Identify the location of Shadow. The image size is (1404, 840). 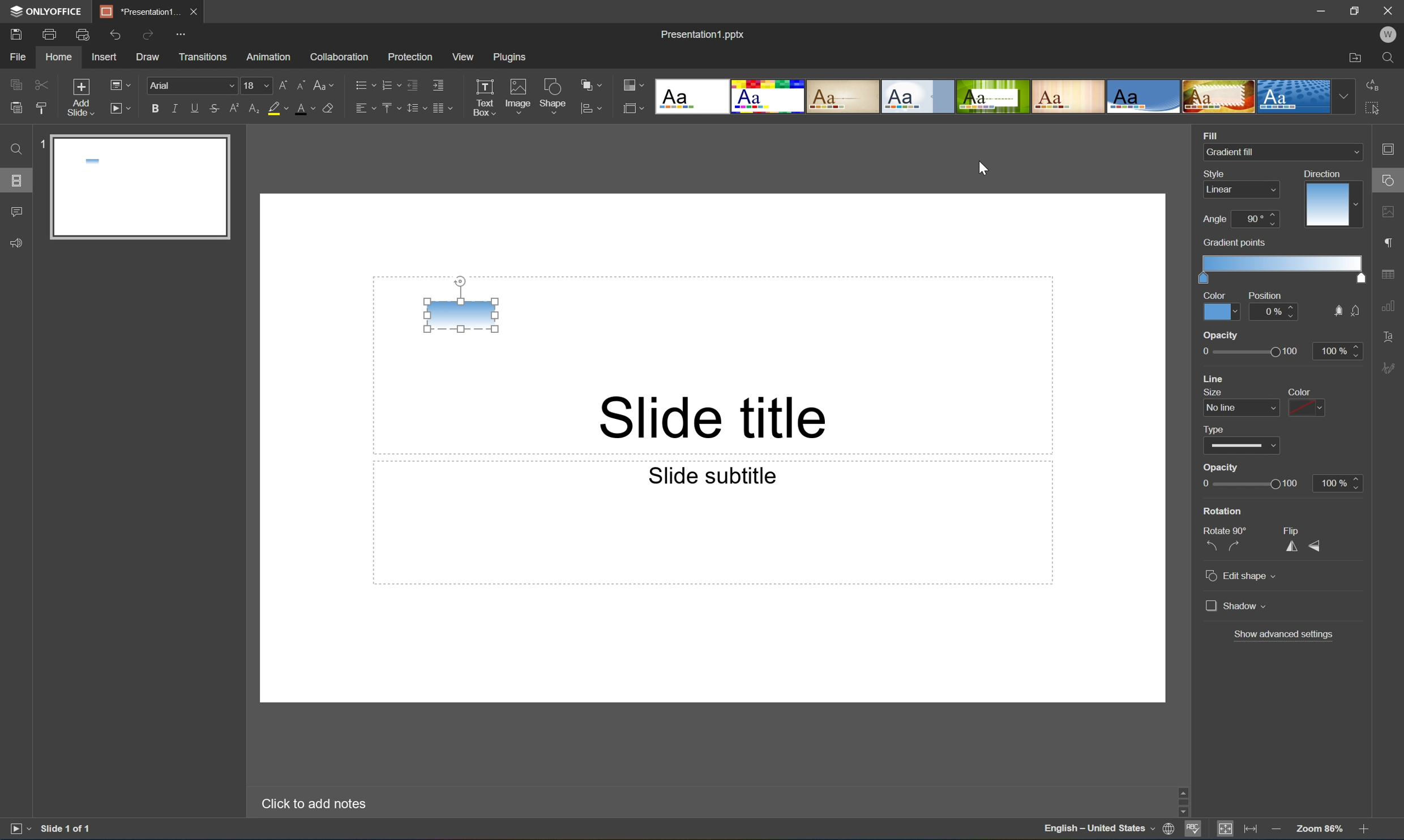
(1236, 605).